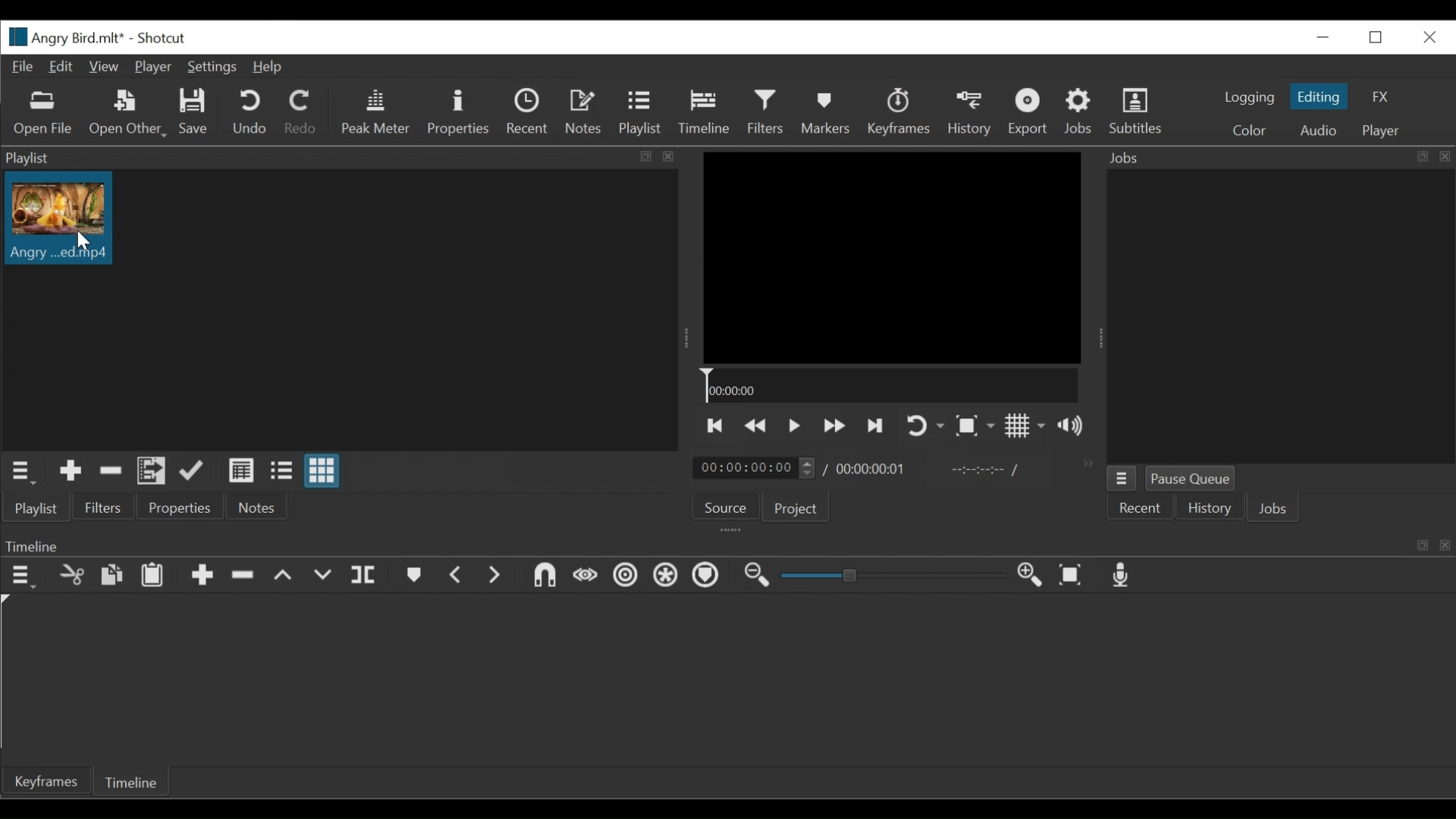  I want to click on Filters, so click(767, 112).